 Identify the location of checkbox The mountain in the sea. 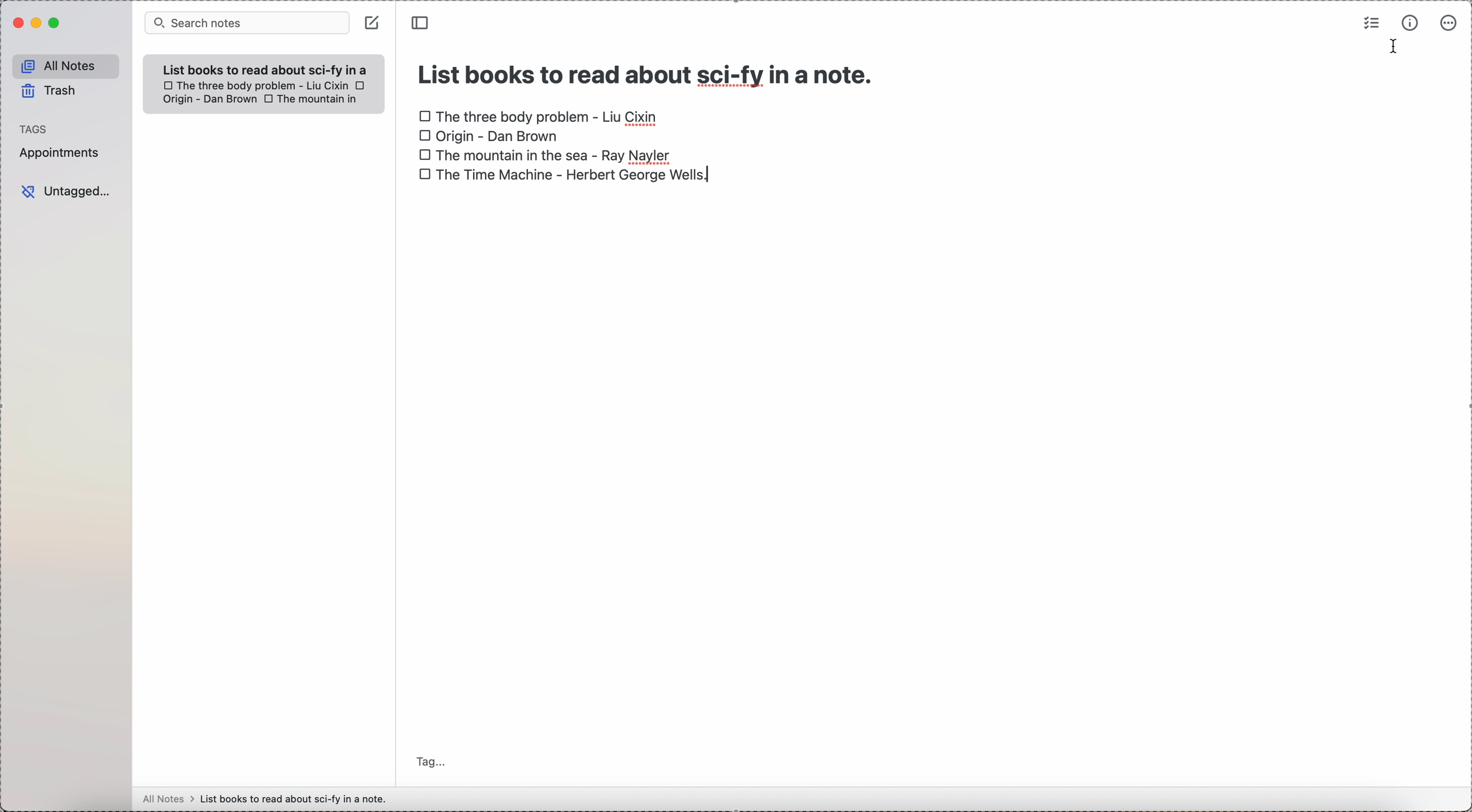
(544, 154).